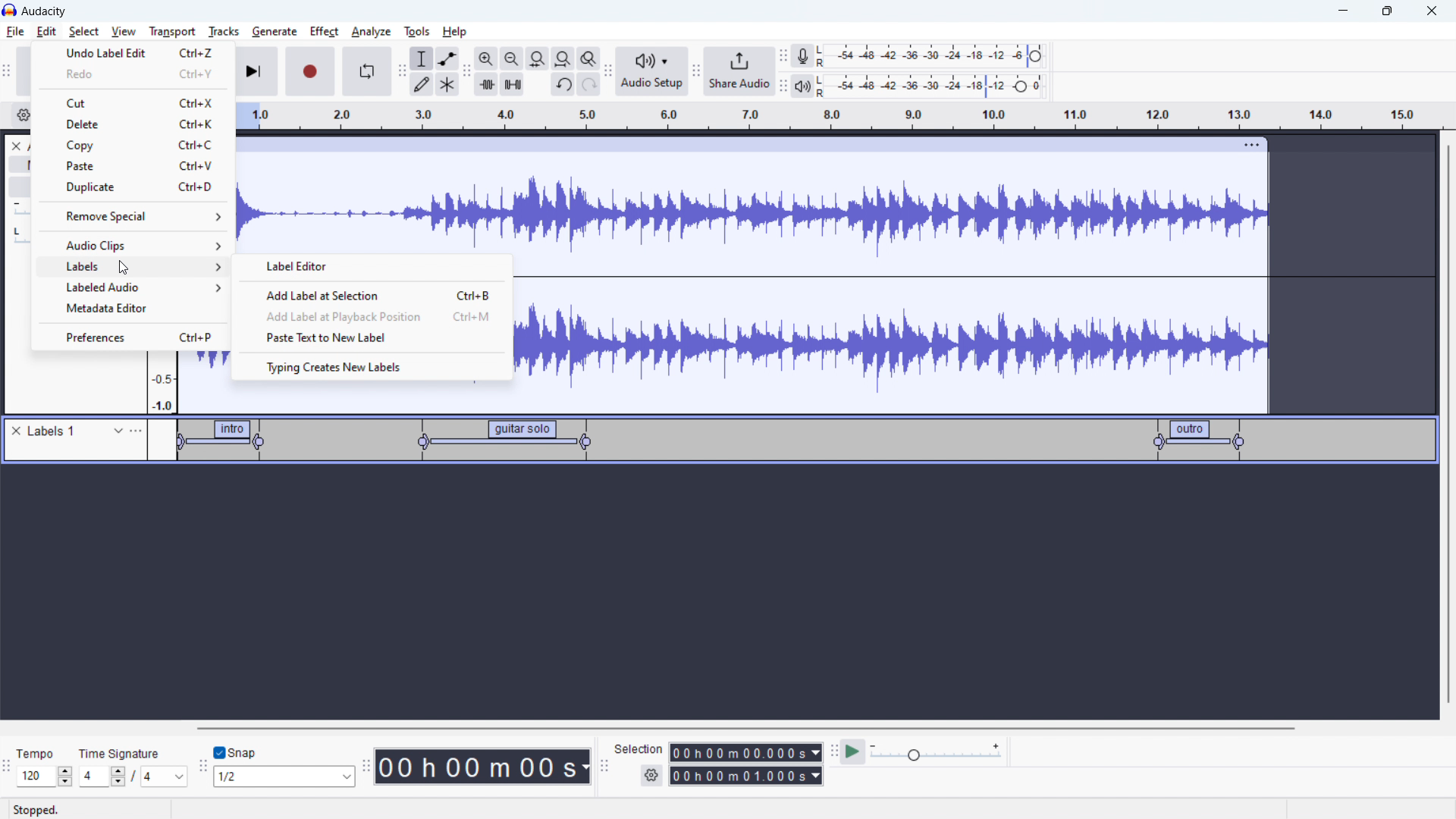  What do you see at coordinates (513, 84) in the screenshot?
I see `silence audio selection` at bounding box center [513, 84].